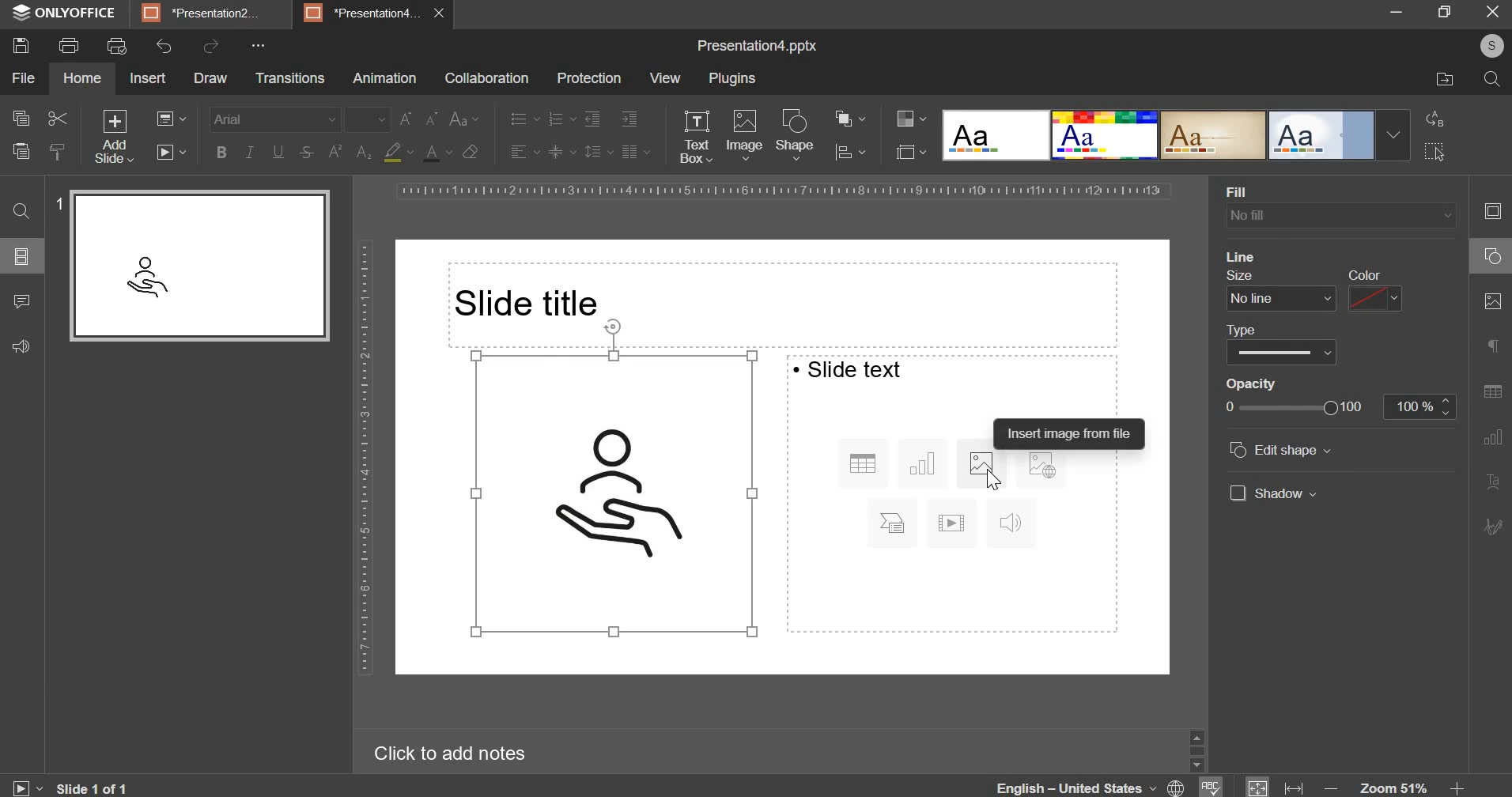 The width and height of the screenshot is (1512, 797). I want to click on numbering, so click(561, 119).